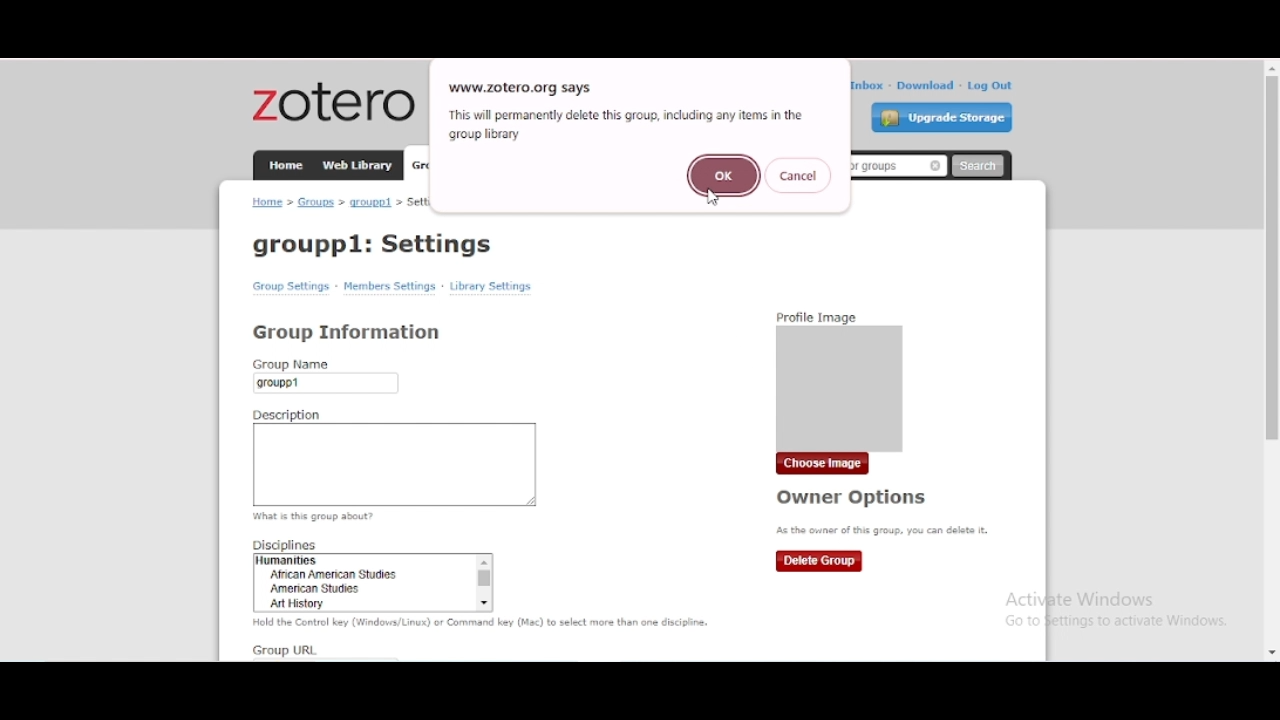 The height and width of the screenshot is (720, 1280). Describe the element at coordinates (357, 164) in the screenshot. I see `web library` at that location.